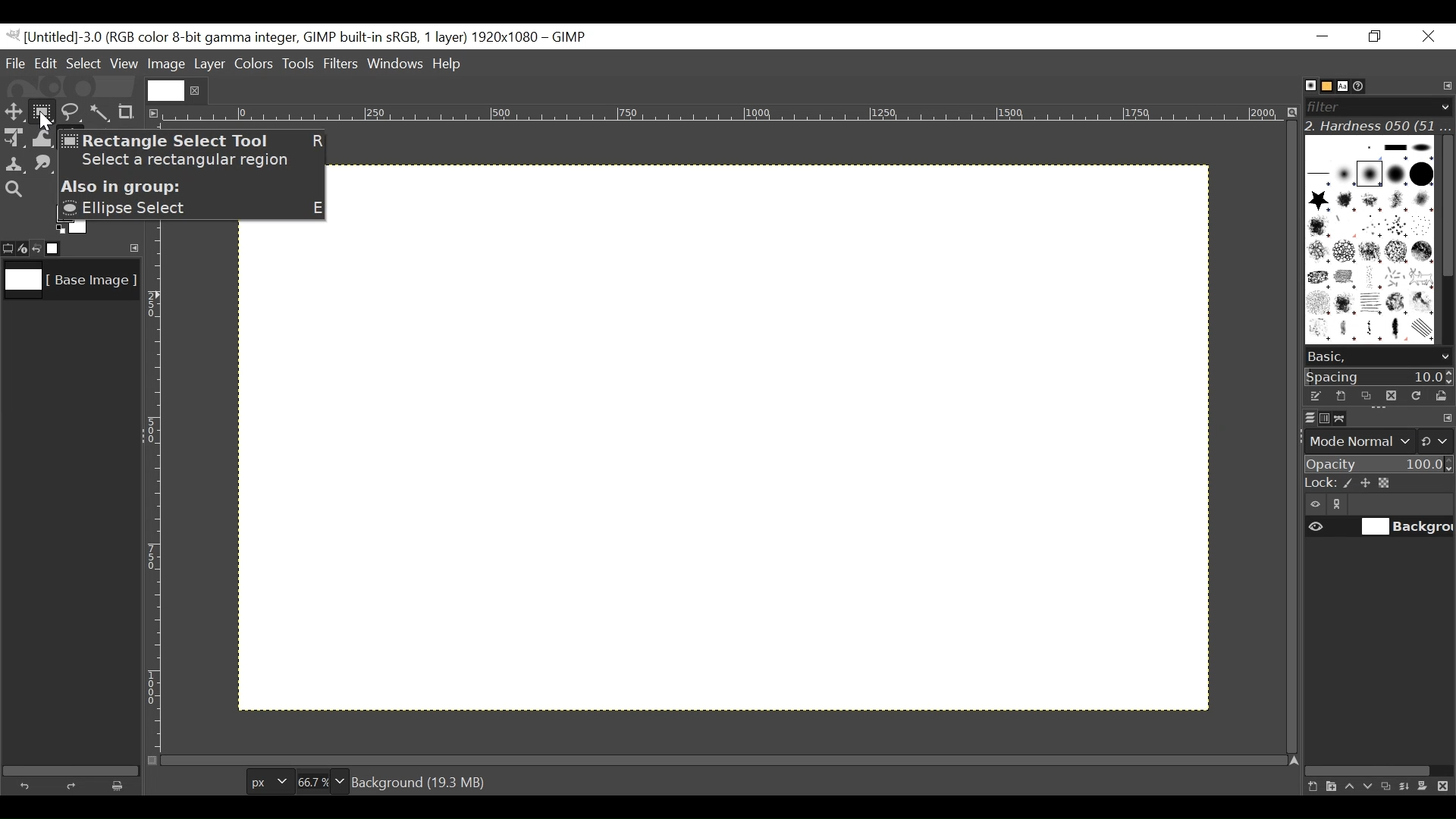 Image resolution: width=1456 pixels, height=819 pixels. I want to click on Undo last action, so click(37, 248).